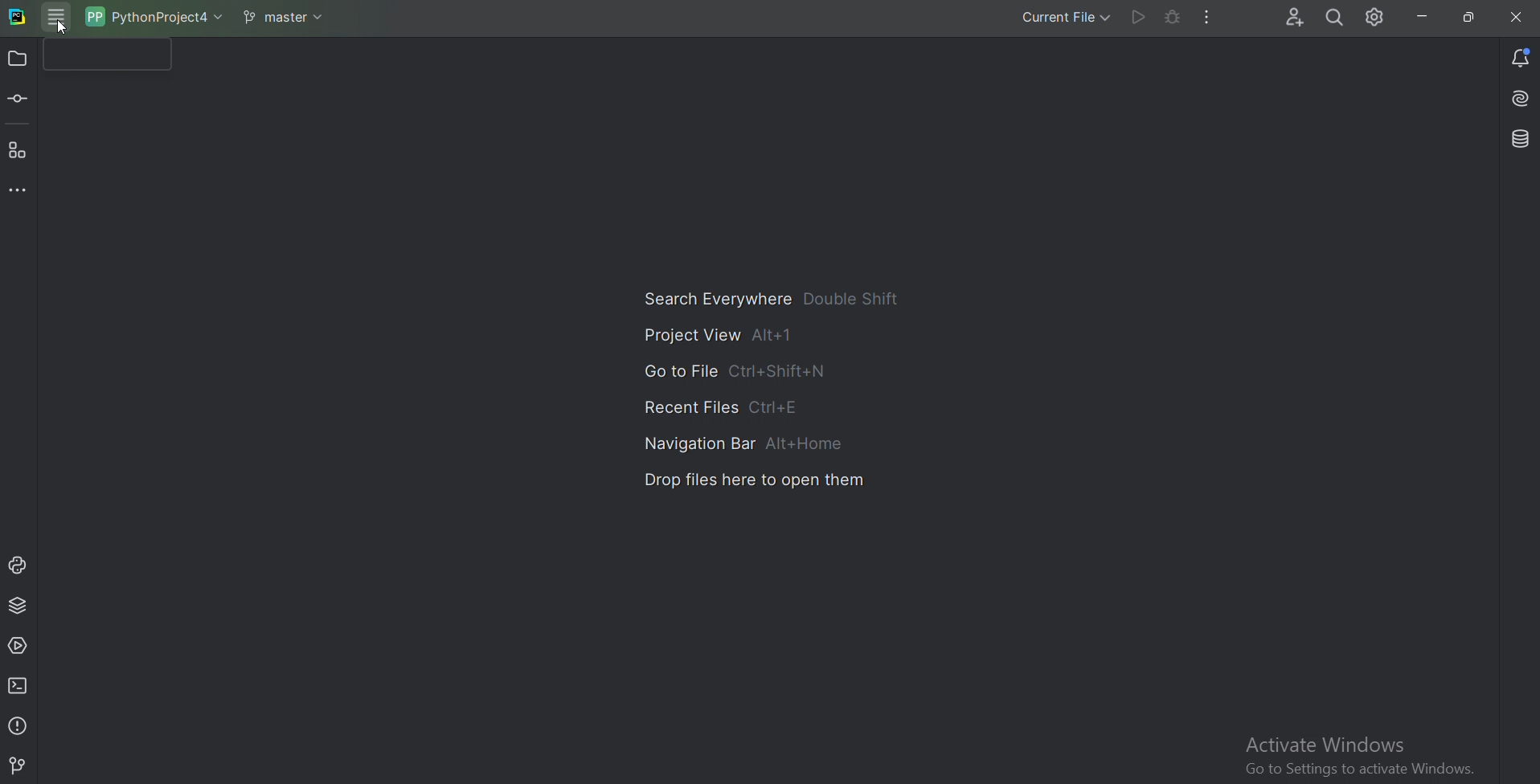  Describe the element at coordinates (1509, 17) in the screenshot. I see `Cross` at that location.